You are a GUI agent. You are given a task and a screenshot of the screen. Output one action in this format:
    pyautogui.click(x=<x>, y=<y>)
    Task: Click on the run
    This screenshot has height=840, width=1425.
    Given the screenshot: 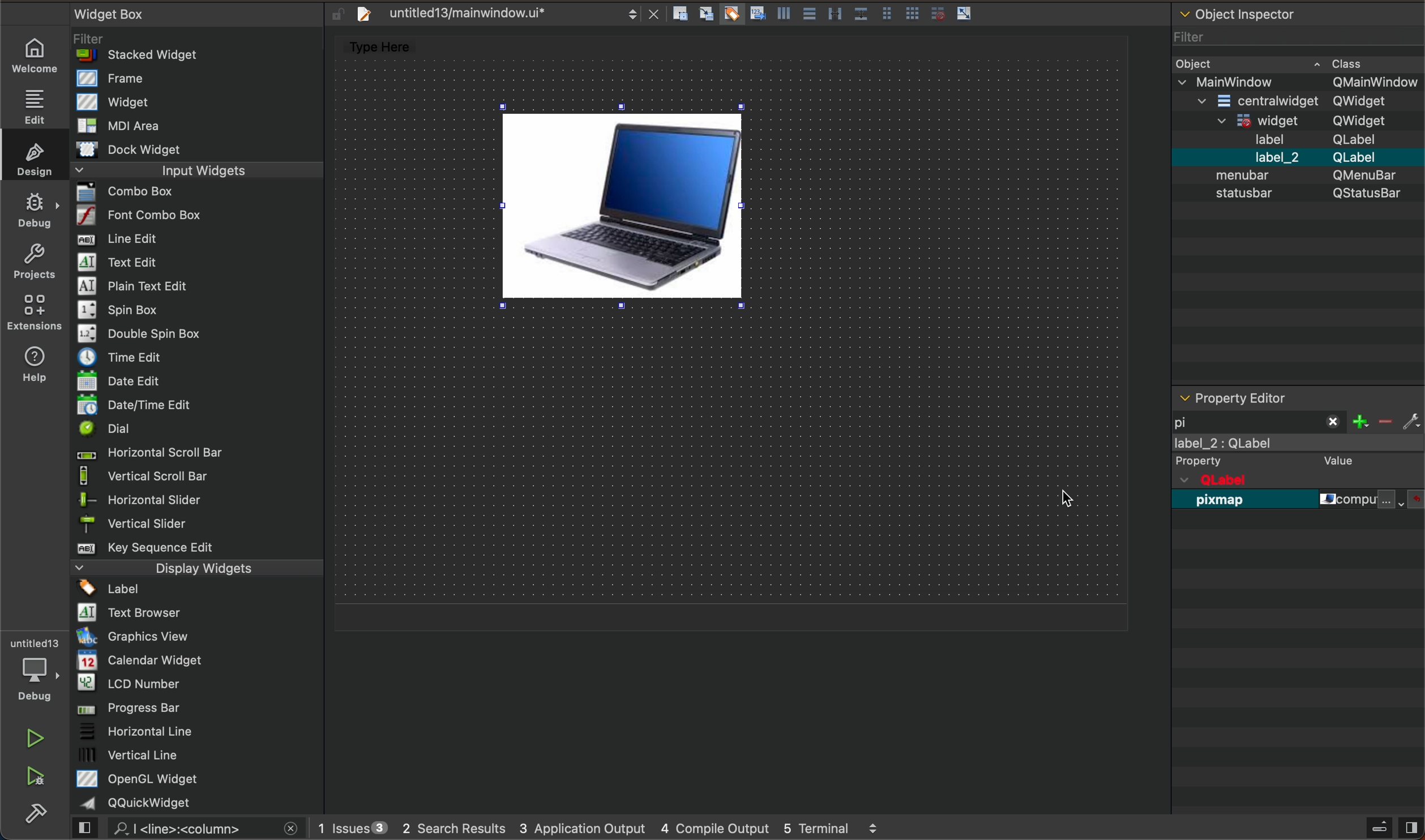 What is the action you would take?
    pyautogui.click(x=34, y=736)
    